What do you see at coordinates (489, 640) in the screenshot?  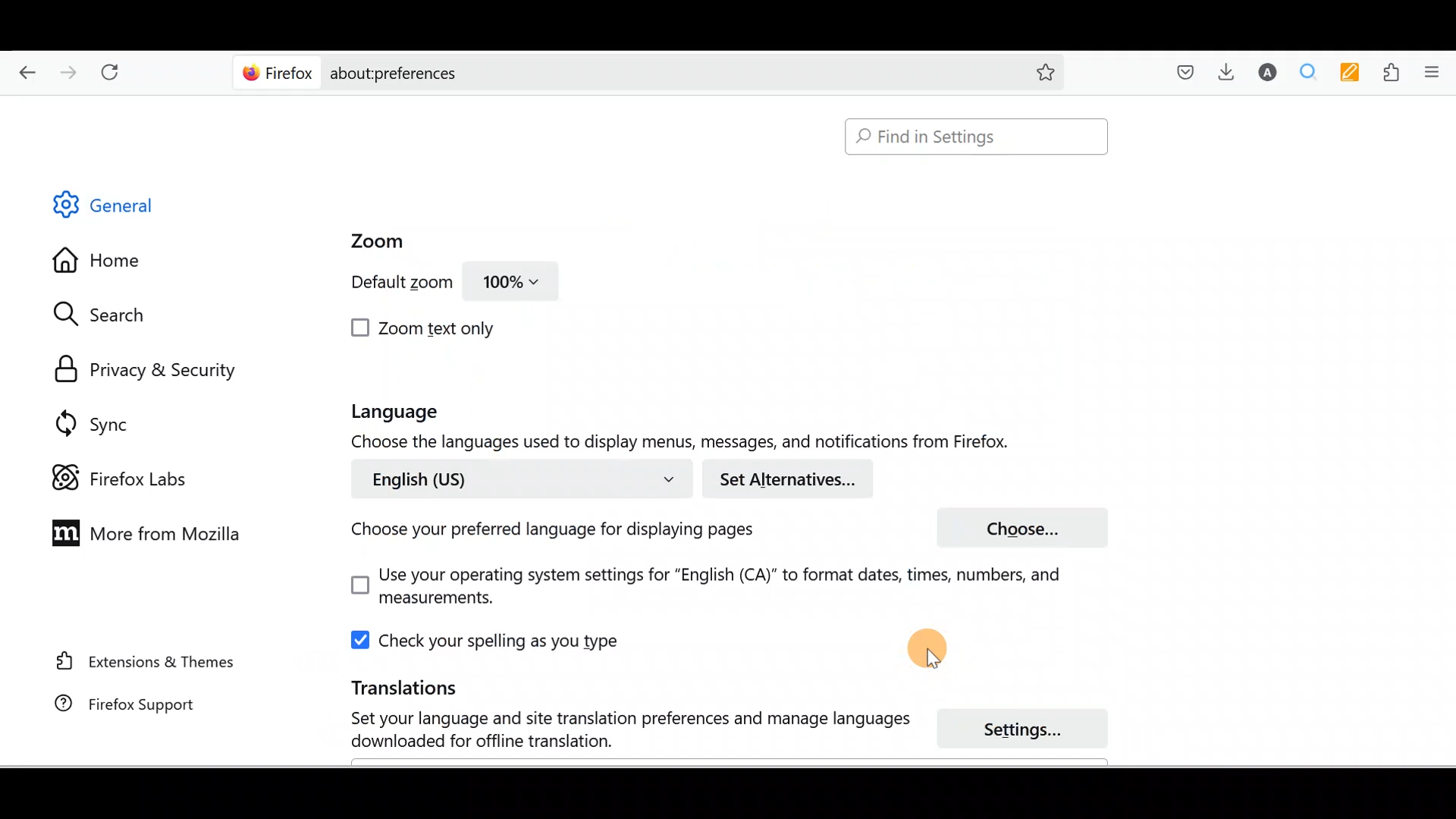 I see `Check your spelling as you type` at bounding box center [489, 640].